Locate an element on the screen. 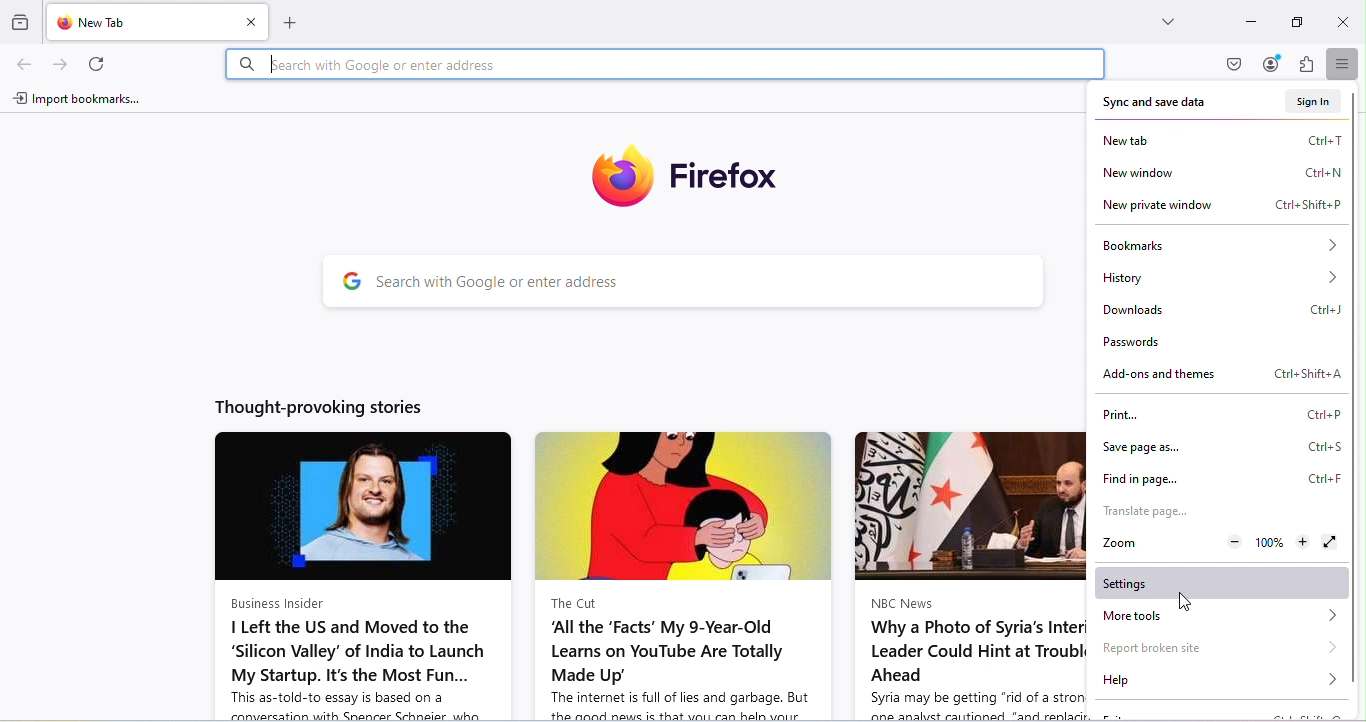  Add-ons and themes is located at coordinates (1218, 374).